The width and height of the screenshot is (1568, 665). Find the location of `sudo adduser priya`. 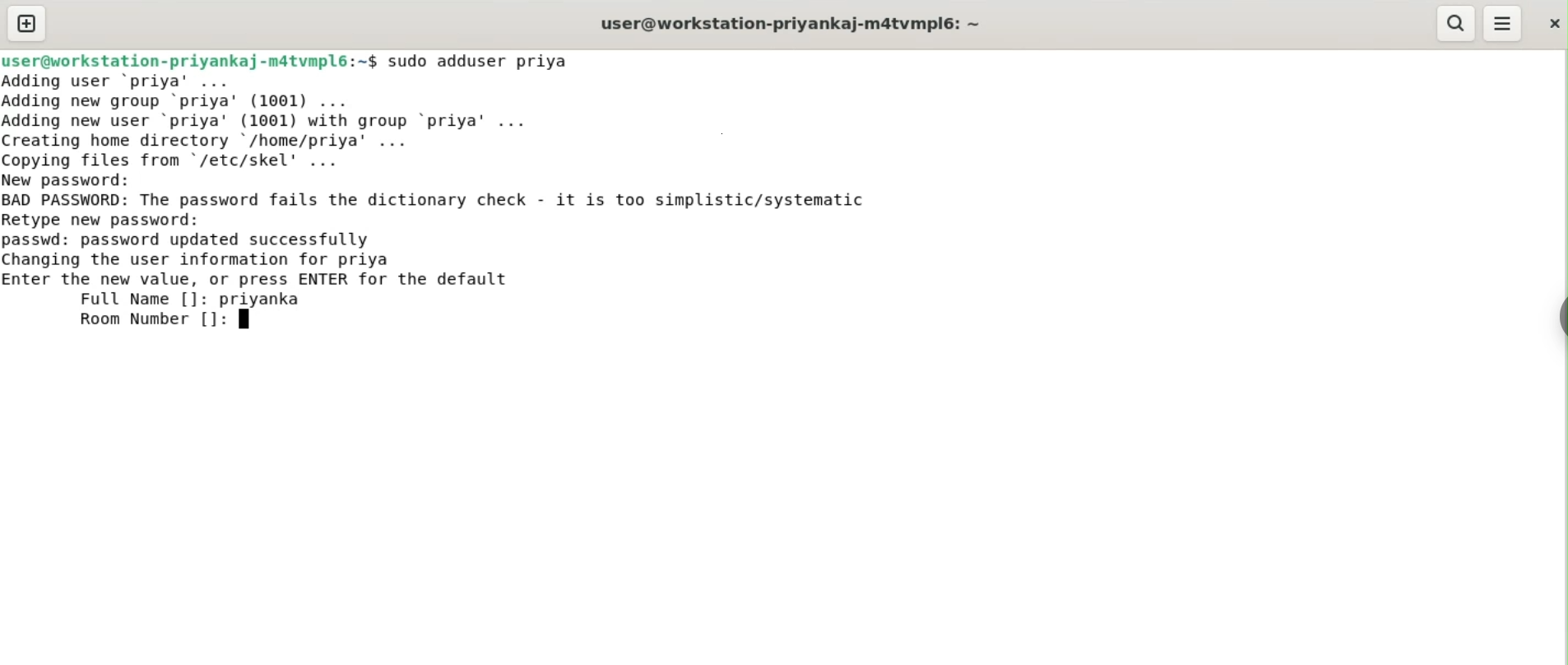

sudo adduser priya is located at coordinates (489, 61).